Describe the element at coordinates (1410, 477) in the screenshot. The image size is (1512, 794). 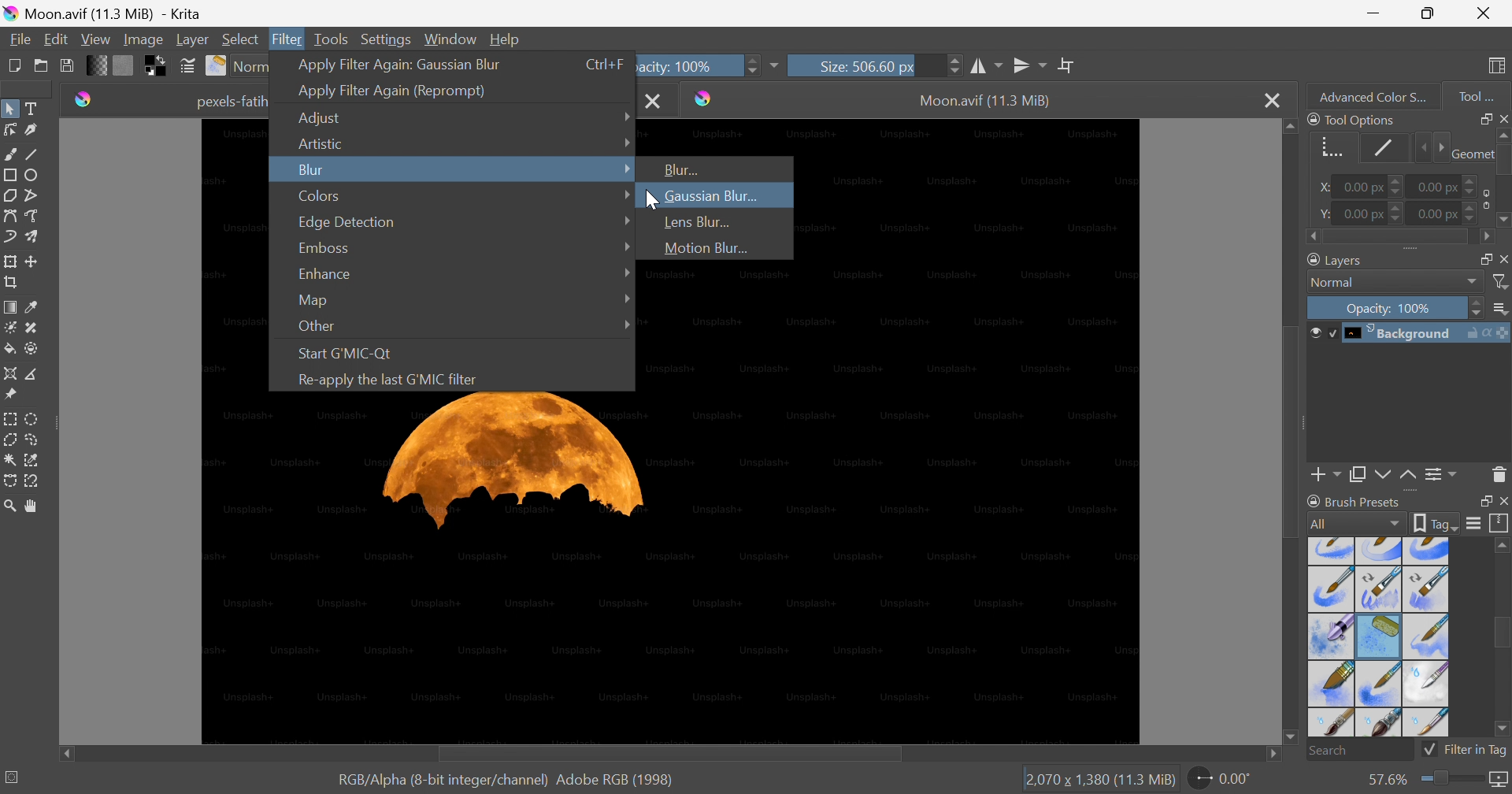
I see `Move layer or mask up` at that location.